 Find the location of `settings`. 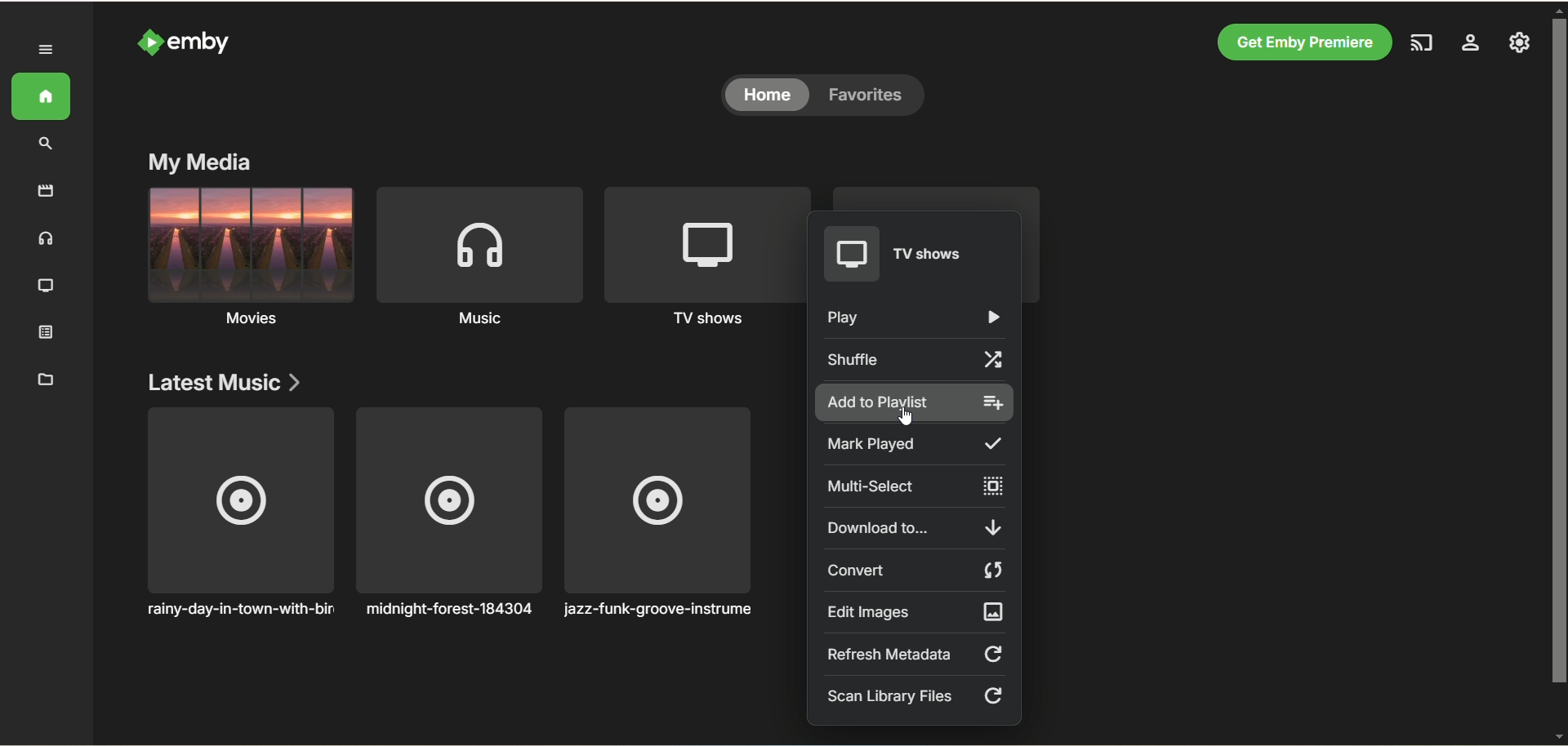

settings is located at coordinates (1469, 45).